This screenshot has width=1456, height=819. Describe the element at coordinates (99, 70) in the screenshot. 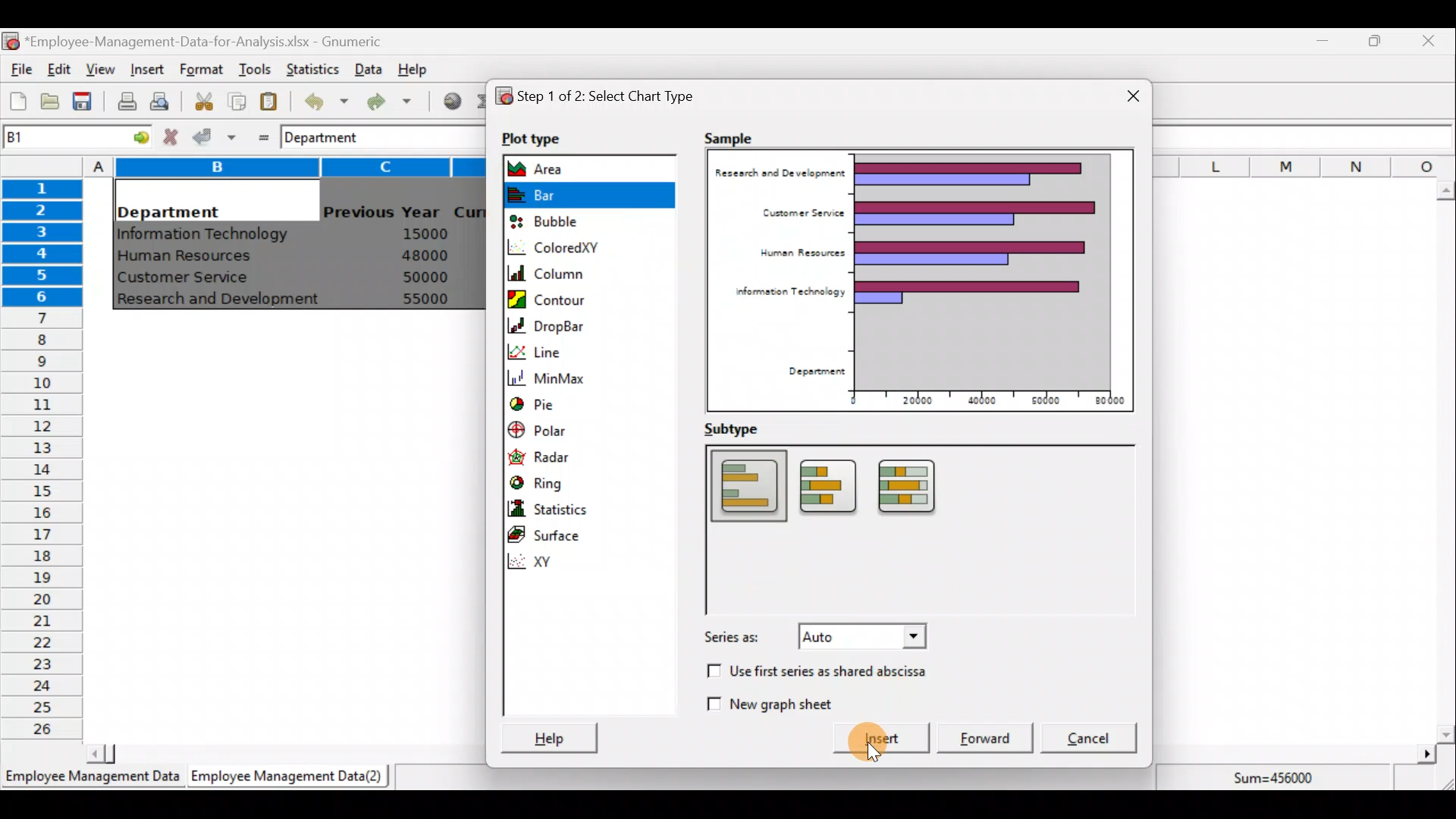

I see `View` at that location.